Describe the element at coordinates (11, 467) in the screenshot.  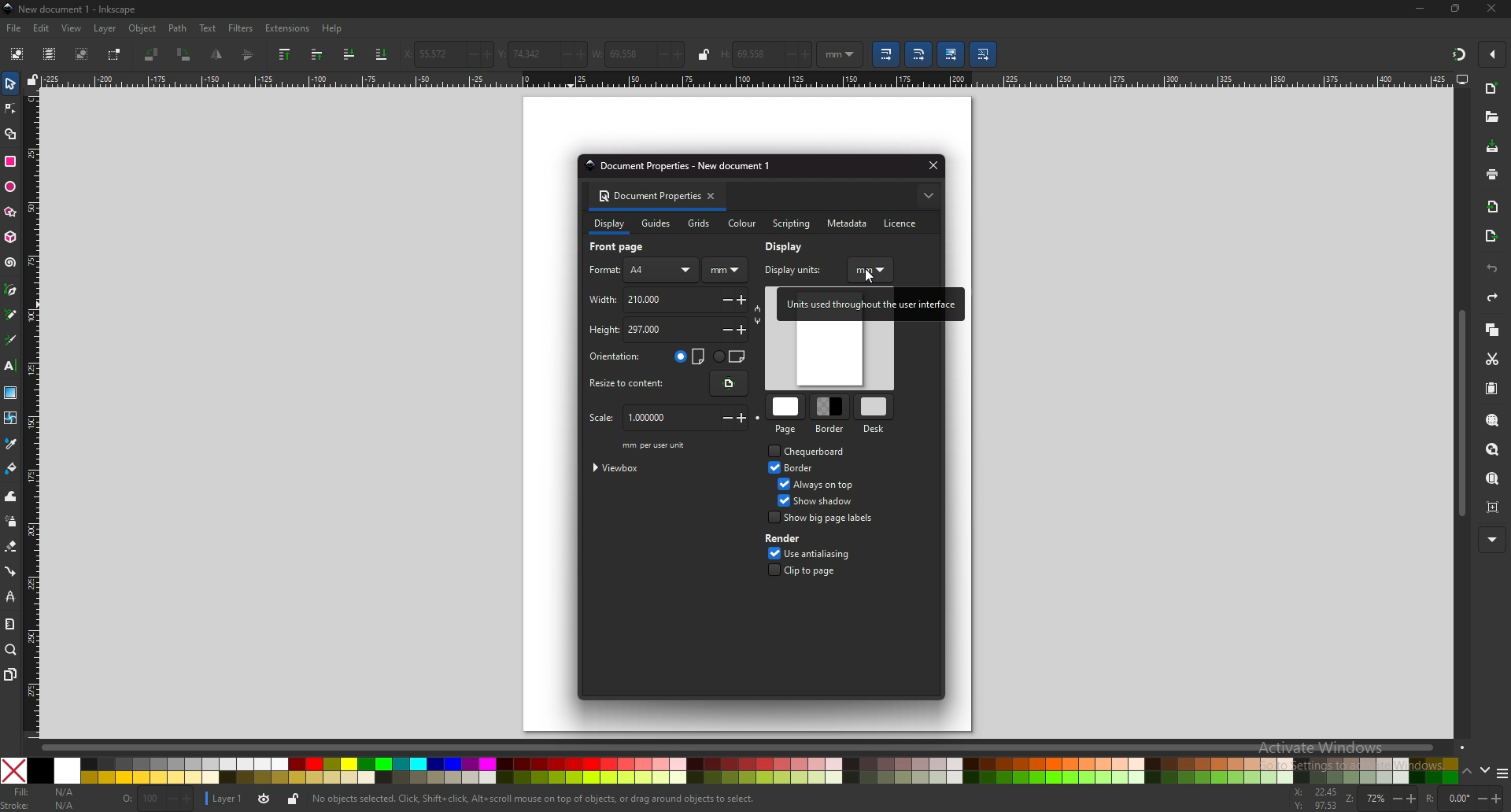
I see `paint bucket` at that location.